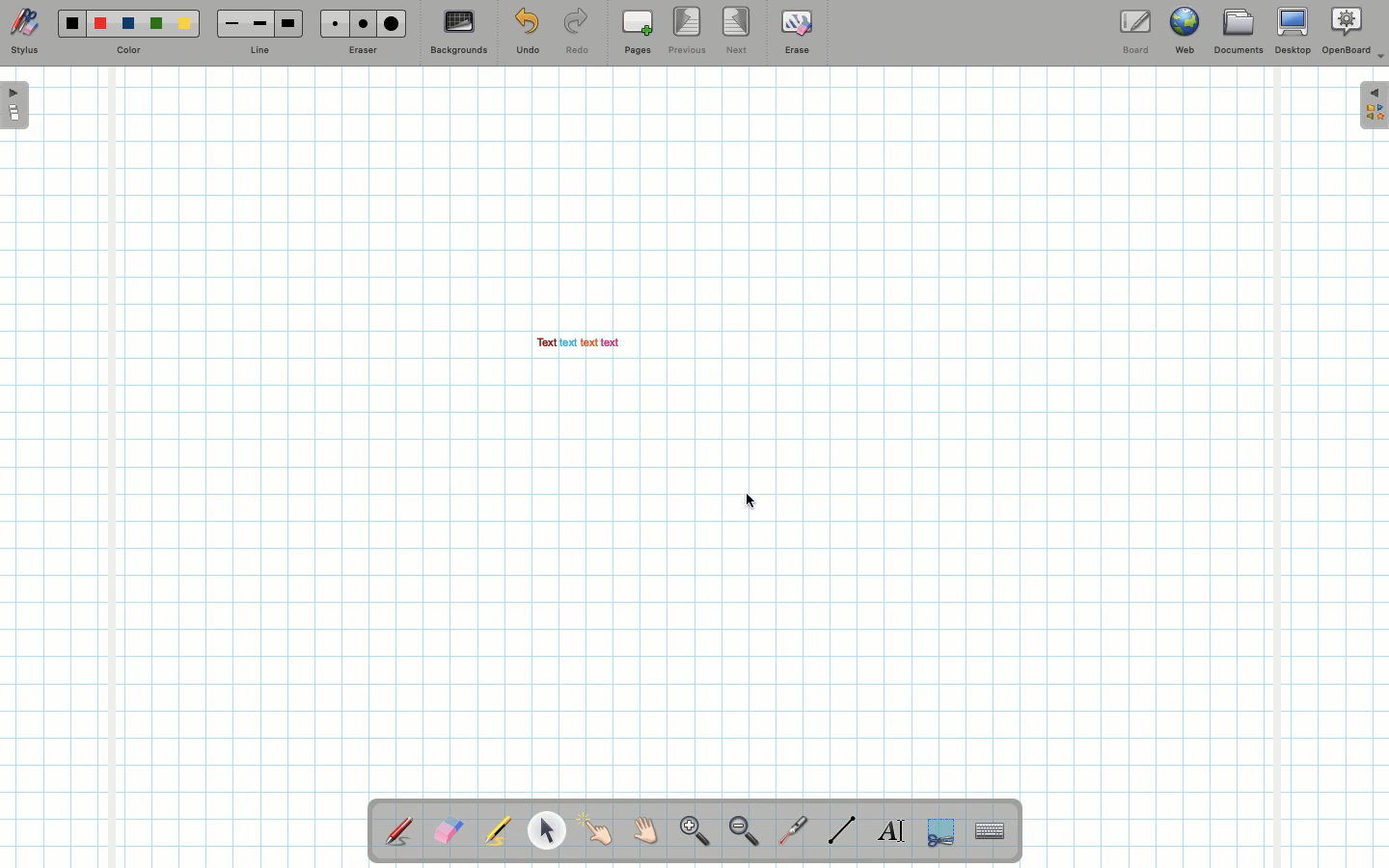 The height and width of the screenshot is (868, 1389). Describe the element at coordinates (126, 51) in the screenshot. I see `Color` at that location.